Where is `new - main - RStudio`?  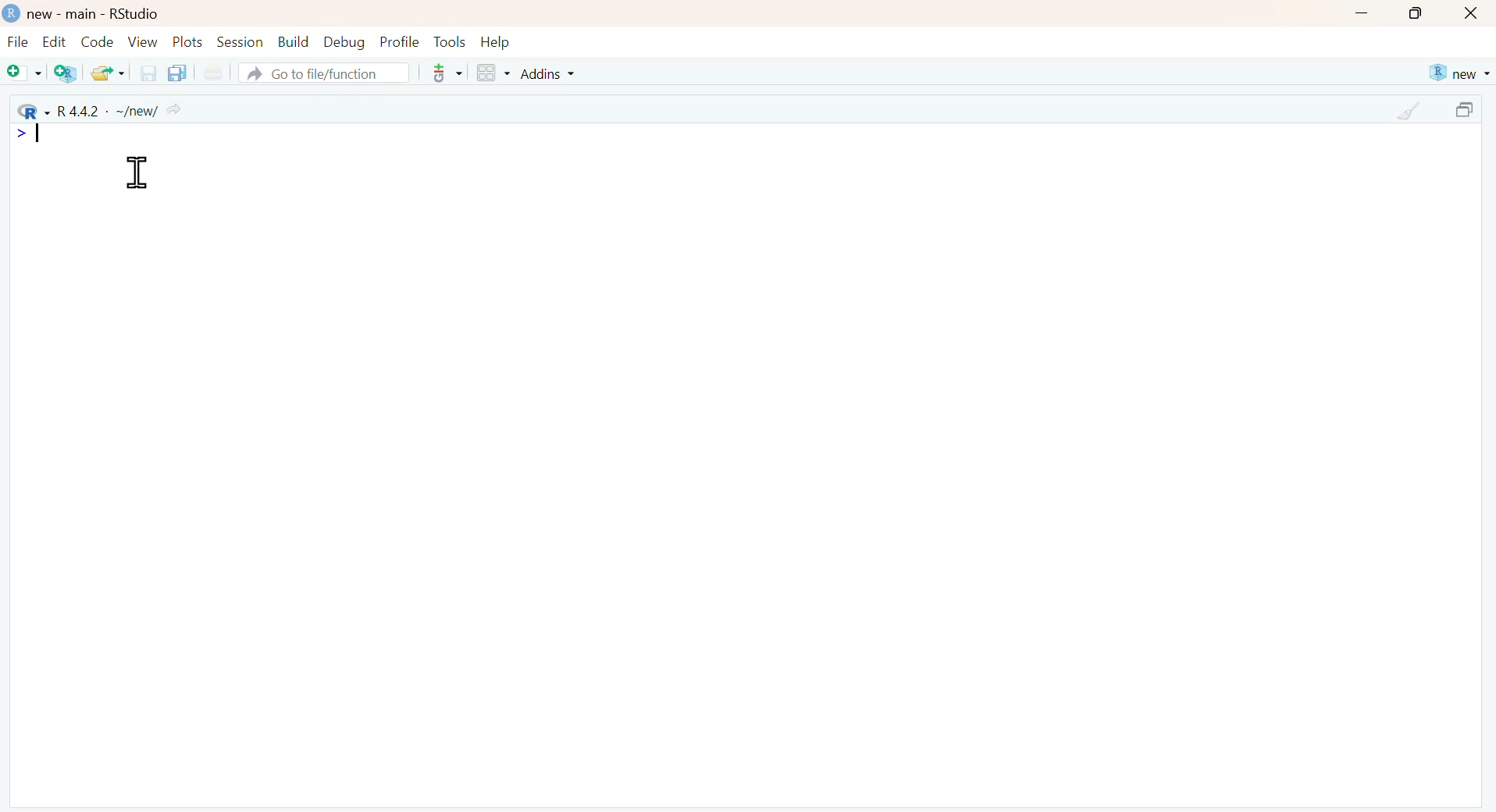
new - main - RStudio is located at coordinates (95, 14).